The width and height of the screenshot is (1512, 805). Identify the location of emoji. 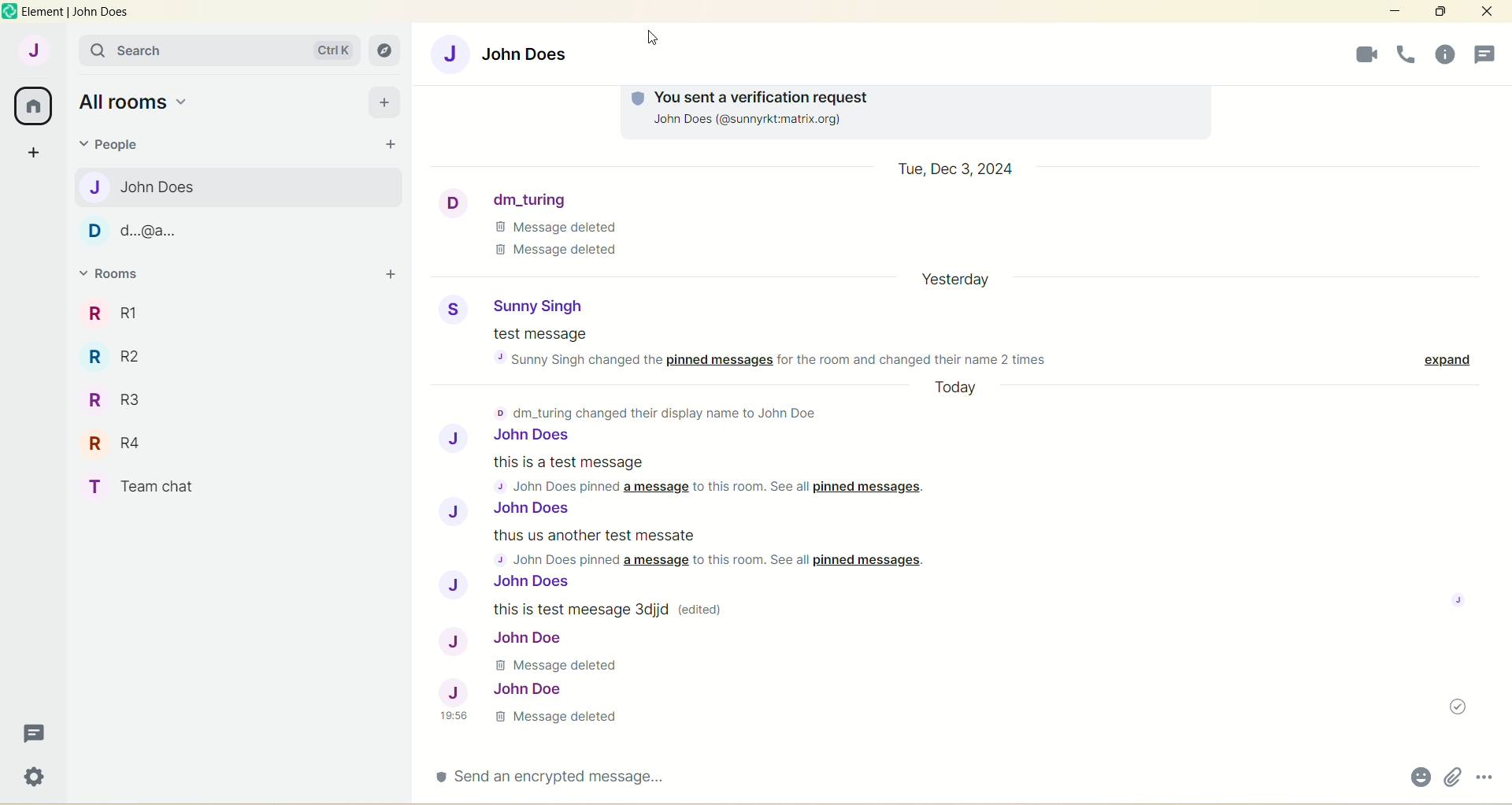
(1417, 775).